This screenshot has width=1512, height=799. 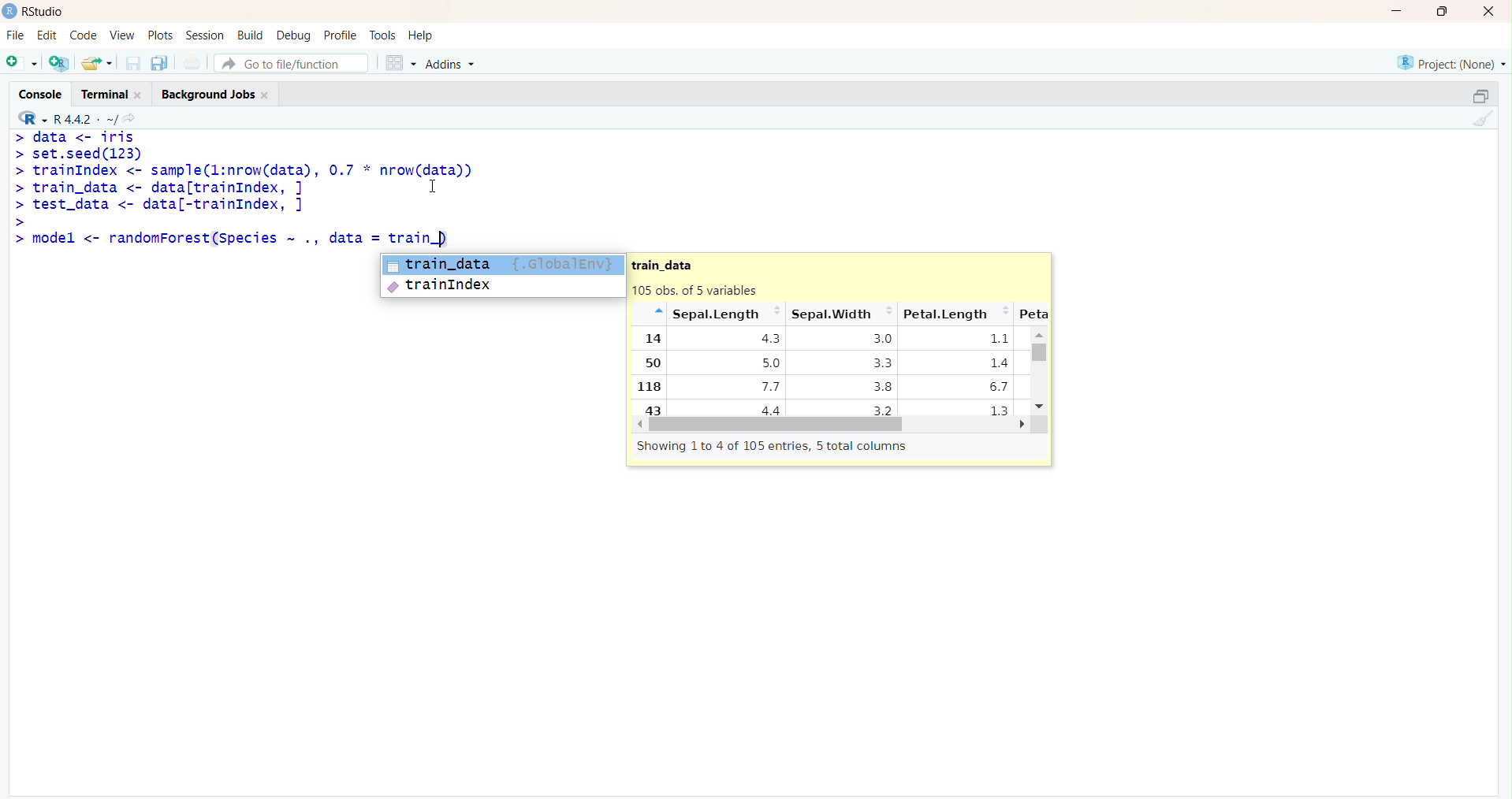 I want to click on Create a project, so click(x=60, y=61).